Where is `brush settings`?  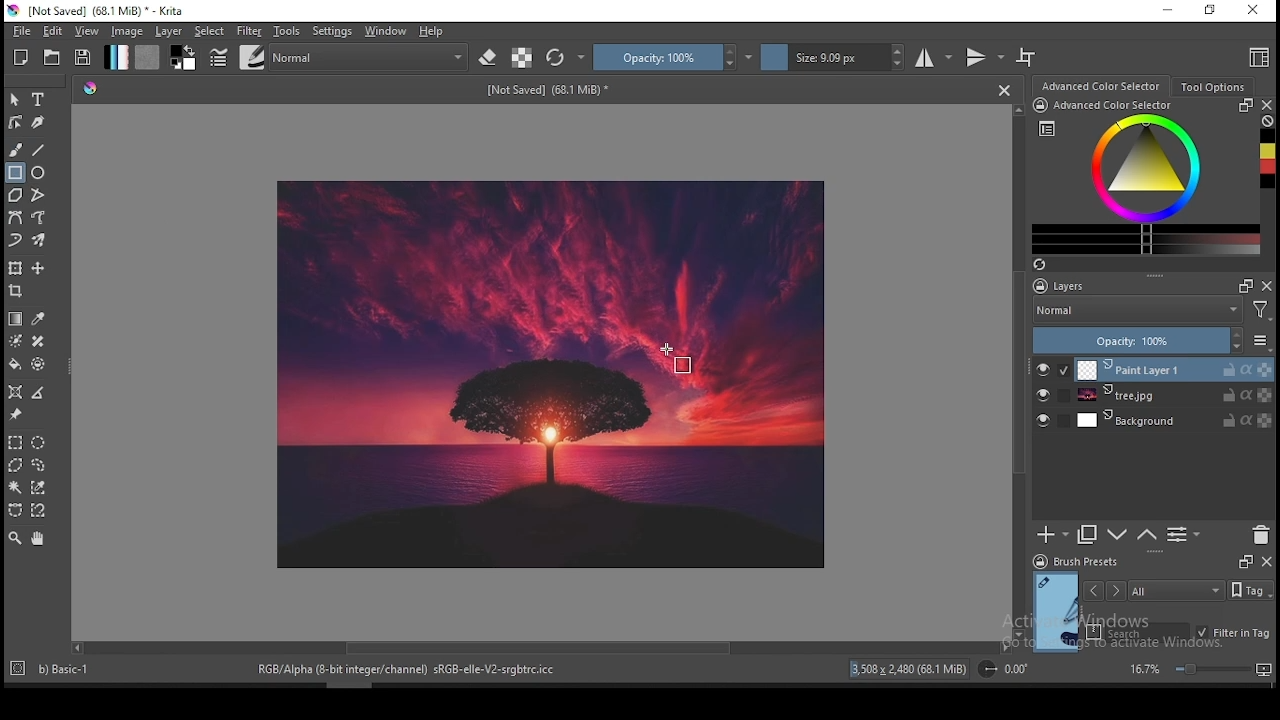
brush settings is located at coordinates (217, 56).